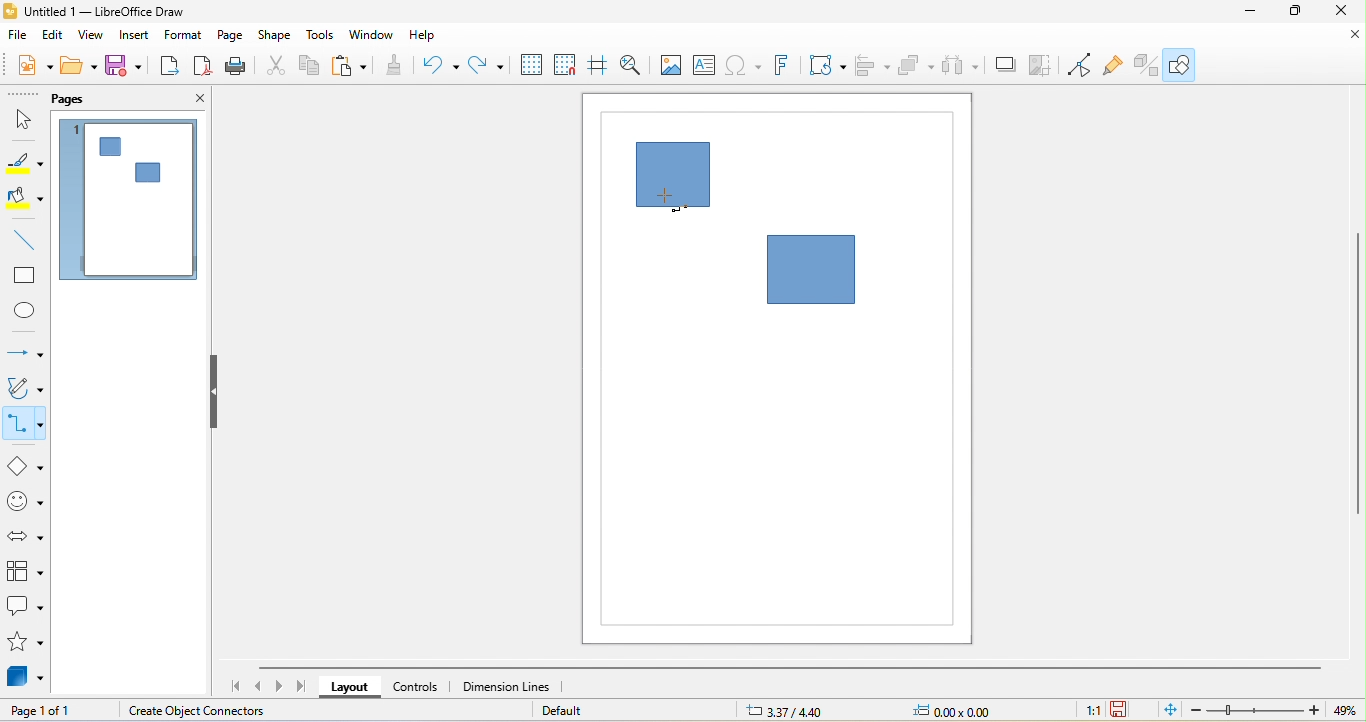  Describe the element at coordinates (1003, 66) in the screenshot. I see `shadow` at that location.